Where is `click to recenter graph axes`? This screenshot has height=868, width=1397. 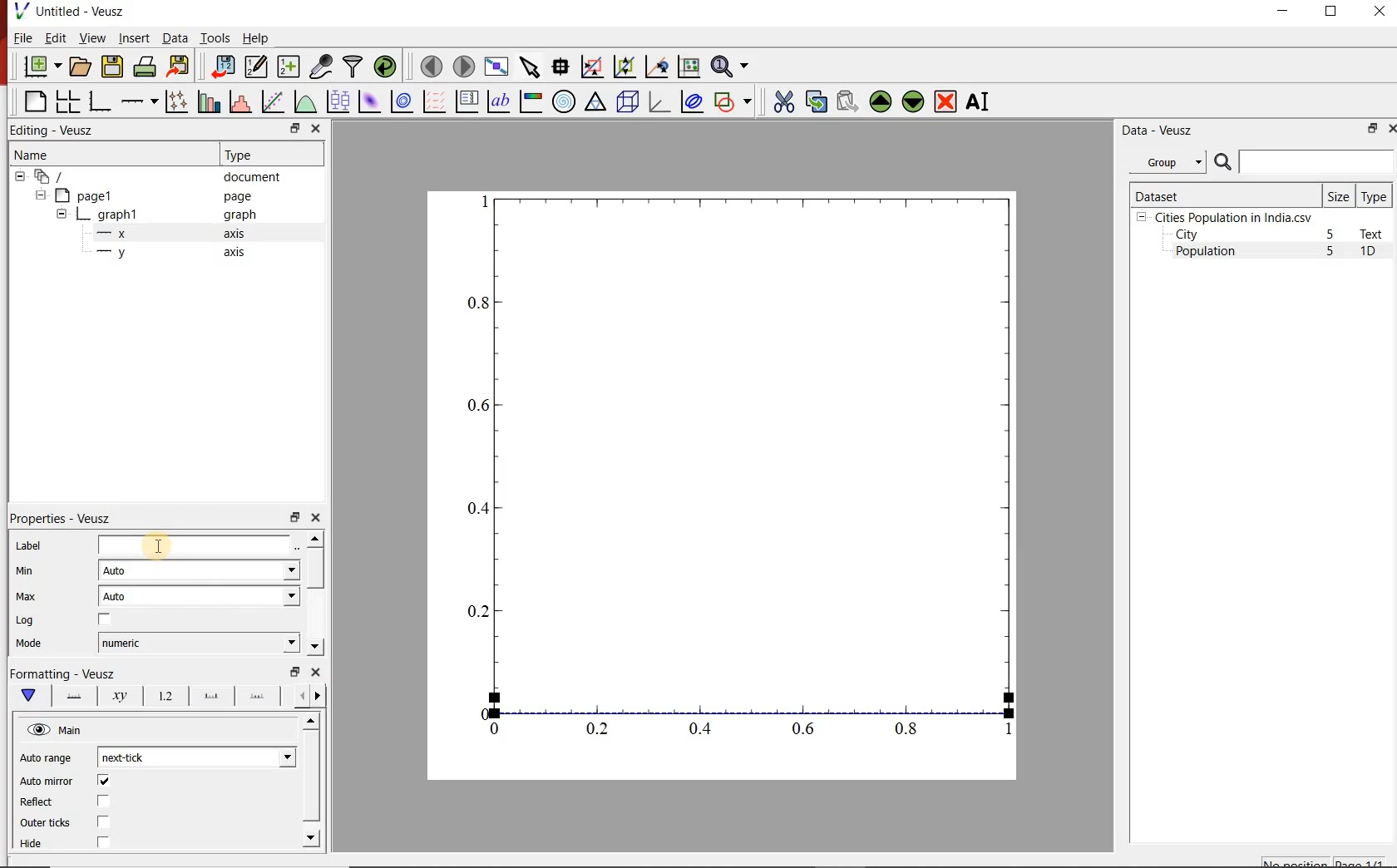 click to recenter graph axes is located at coordinates (655, 67).